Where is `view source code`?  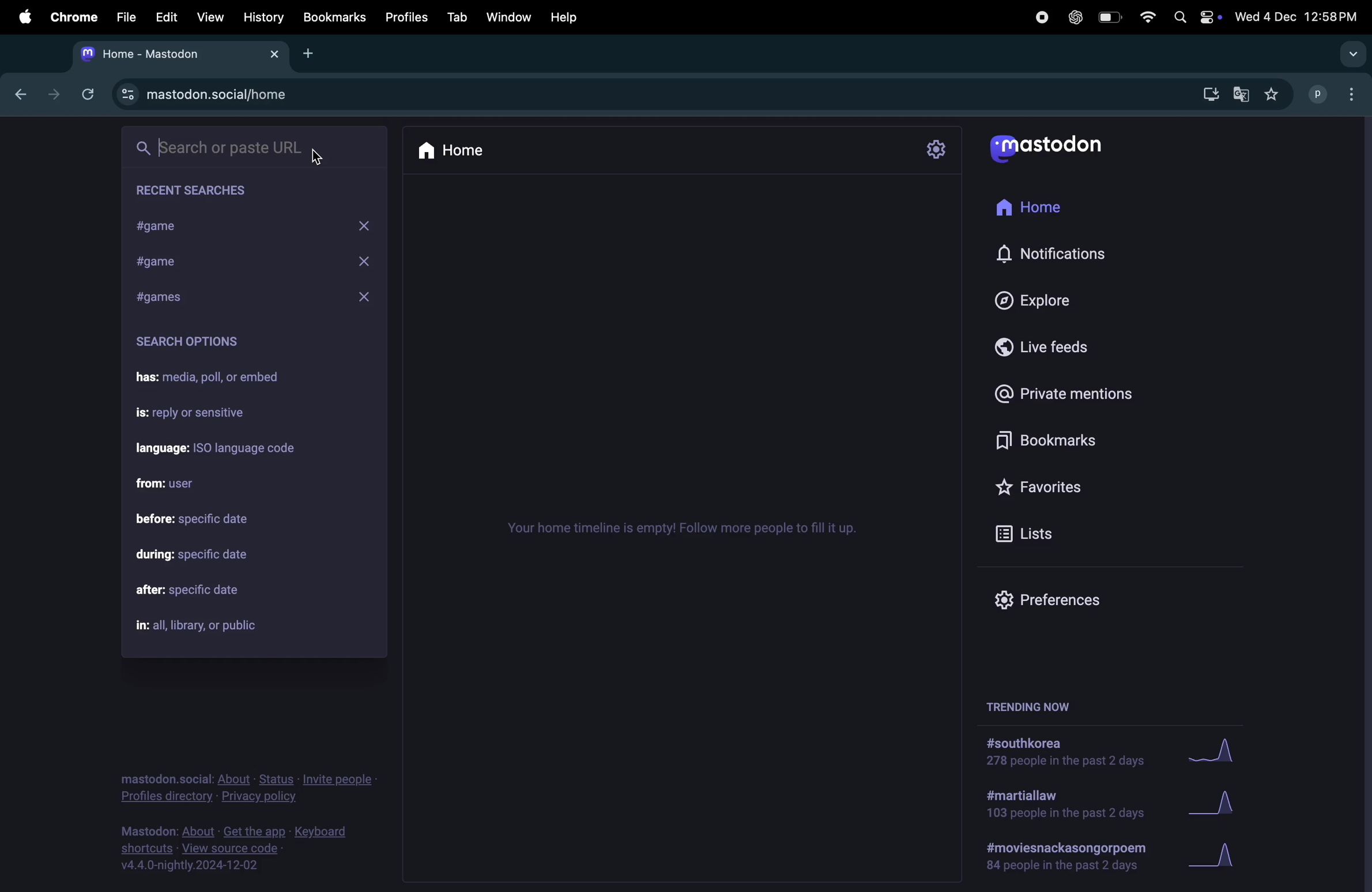 view source code is located at coordinates (240, 849).